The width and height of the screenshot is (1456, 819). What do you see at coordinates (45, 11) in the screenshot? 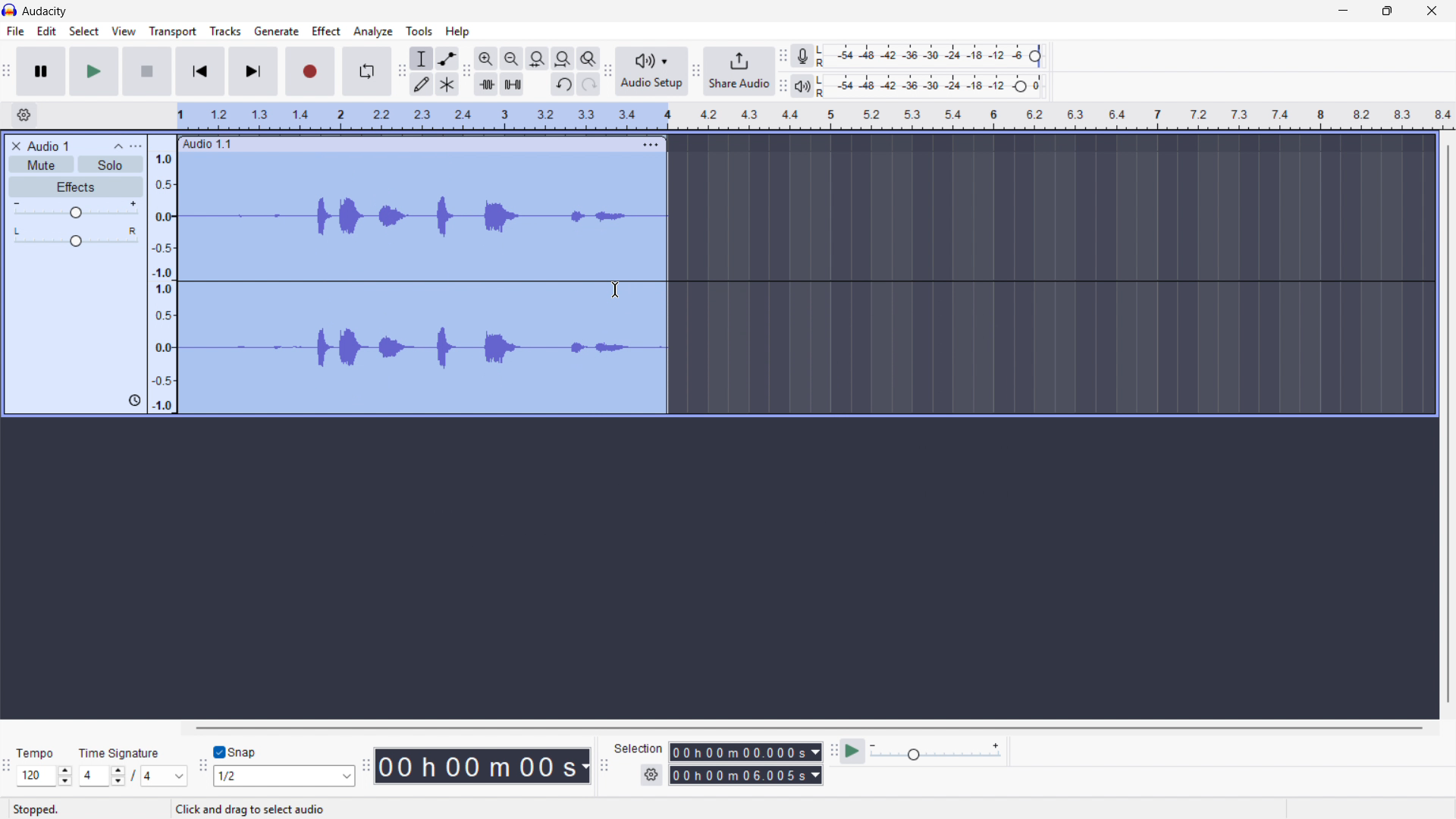
I see `Title ` at bounding box center [45, 11].